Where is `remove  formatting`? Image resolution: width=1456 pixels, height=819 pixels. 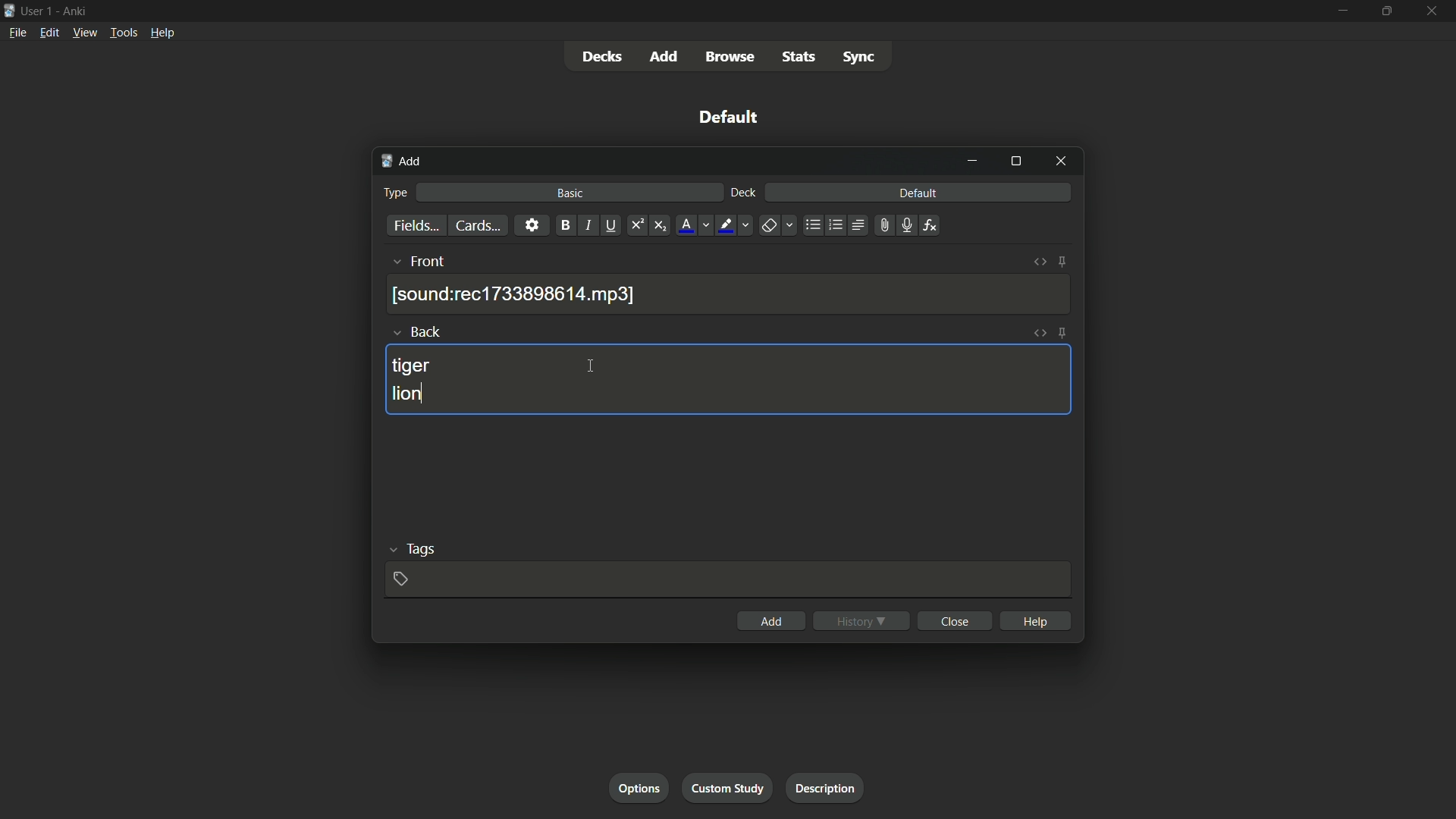 remove  formatting is located at coordinates (768, 226).